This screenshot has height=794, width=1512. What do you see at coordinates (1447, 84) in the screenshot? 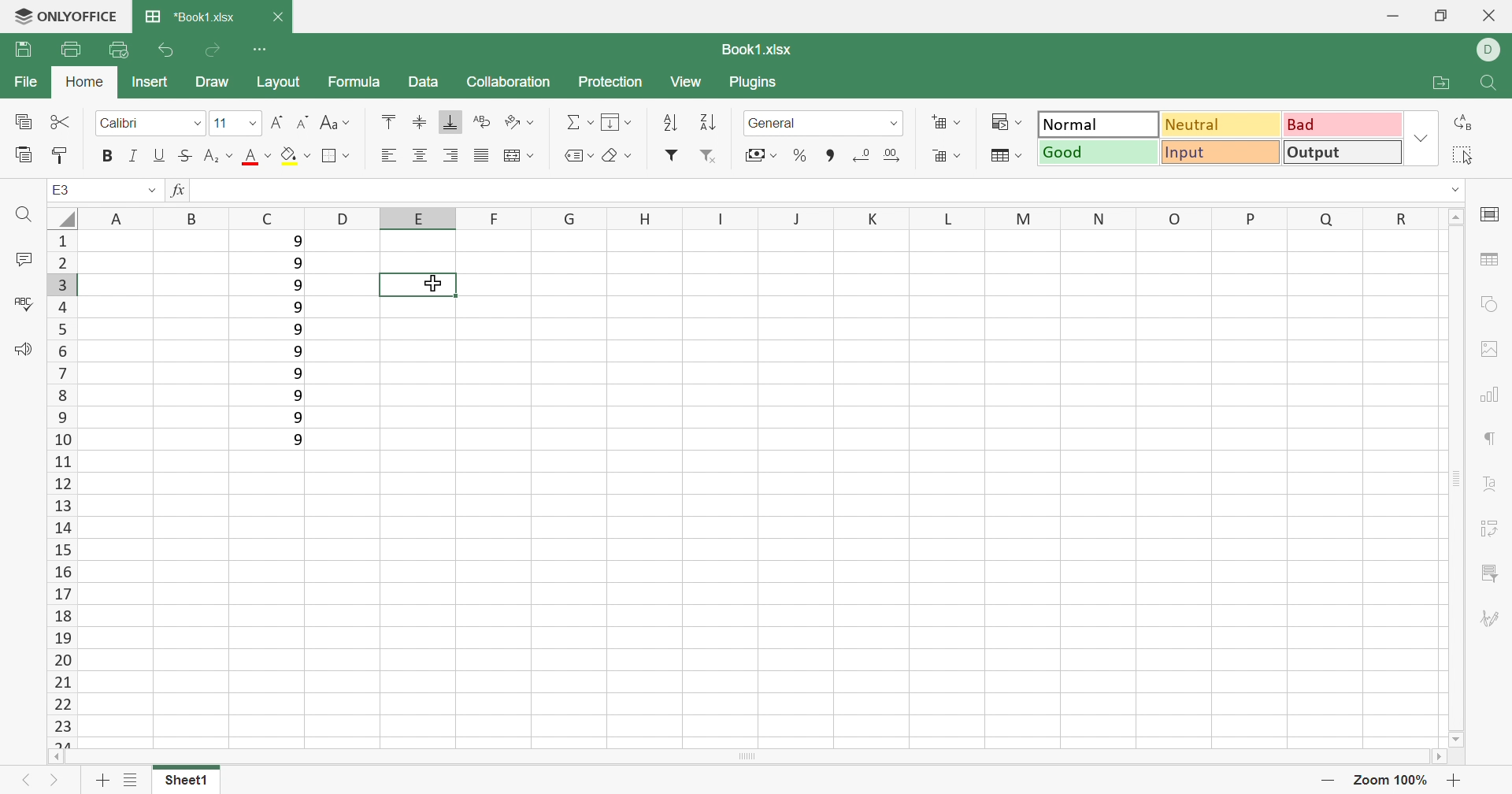
I see `Open file location` at bounding box center [1447, 84].